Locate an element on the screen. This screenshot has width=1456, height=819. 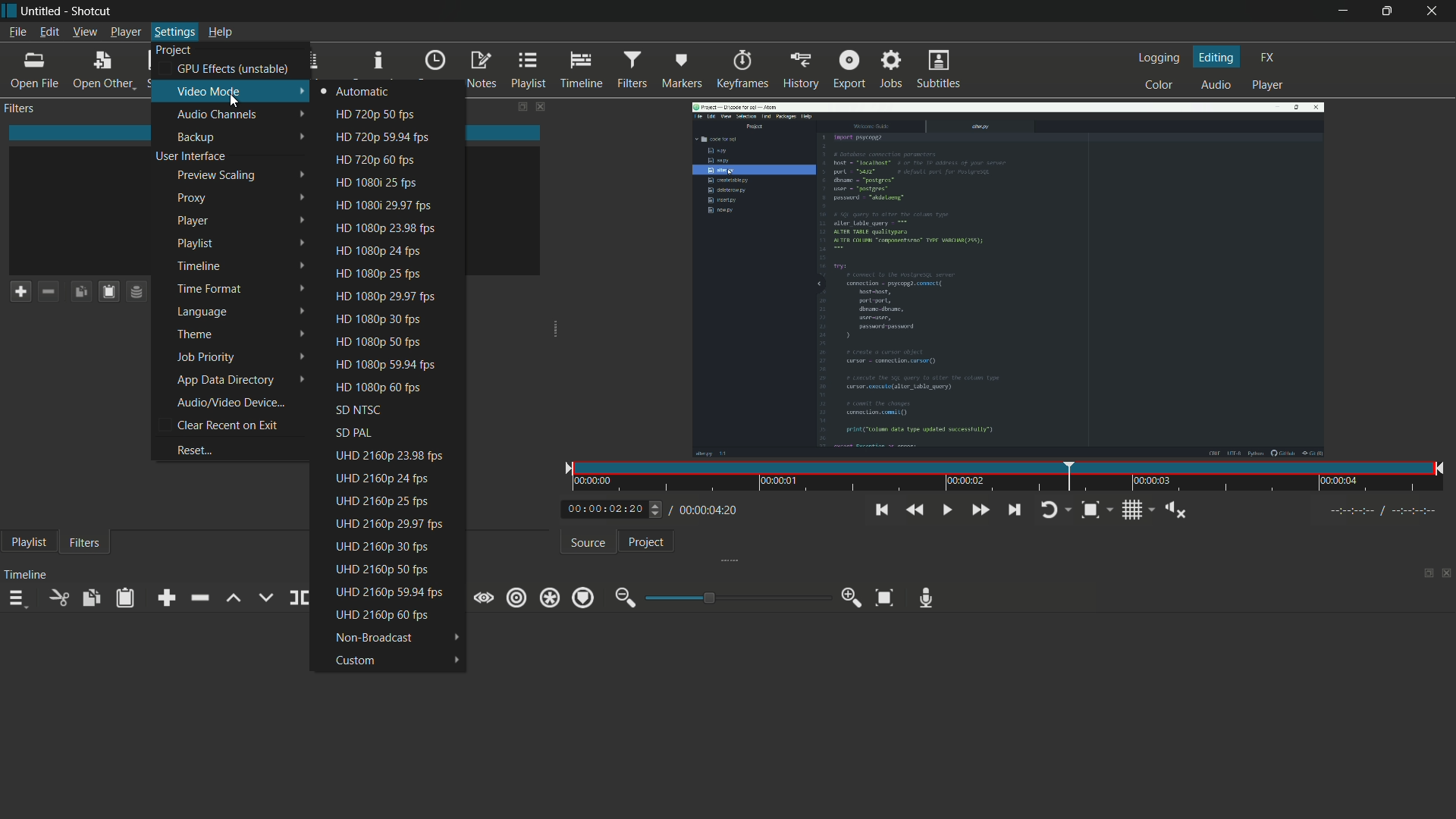
playlist is located at coordinates (240, 246).